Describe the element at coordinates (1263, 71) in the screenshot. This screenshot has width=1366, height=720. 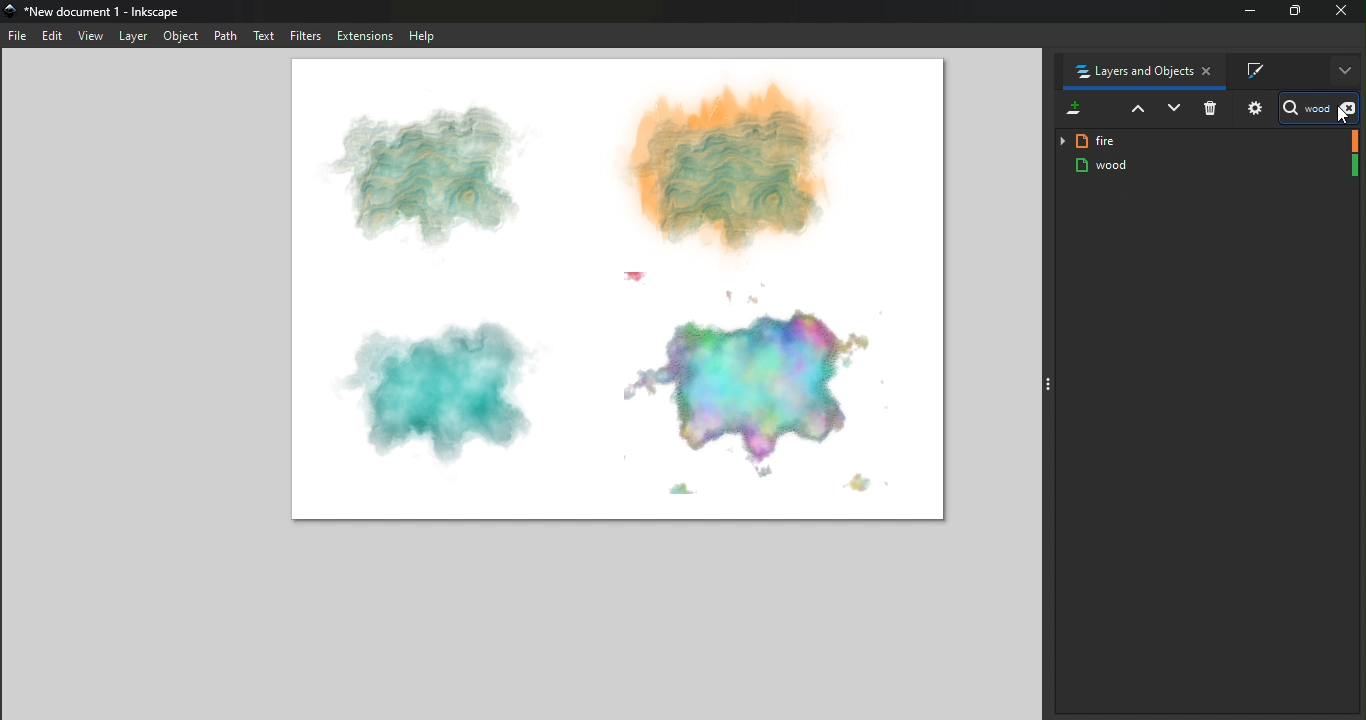
I see `Fill and stroke` at that location.